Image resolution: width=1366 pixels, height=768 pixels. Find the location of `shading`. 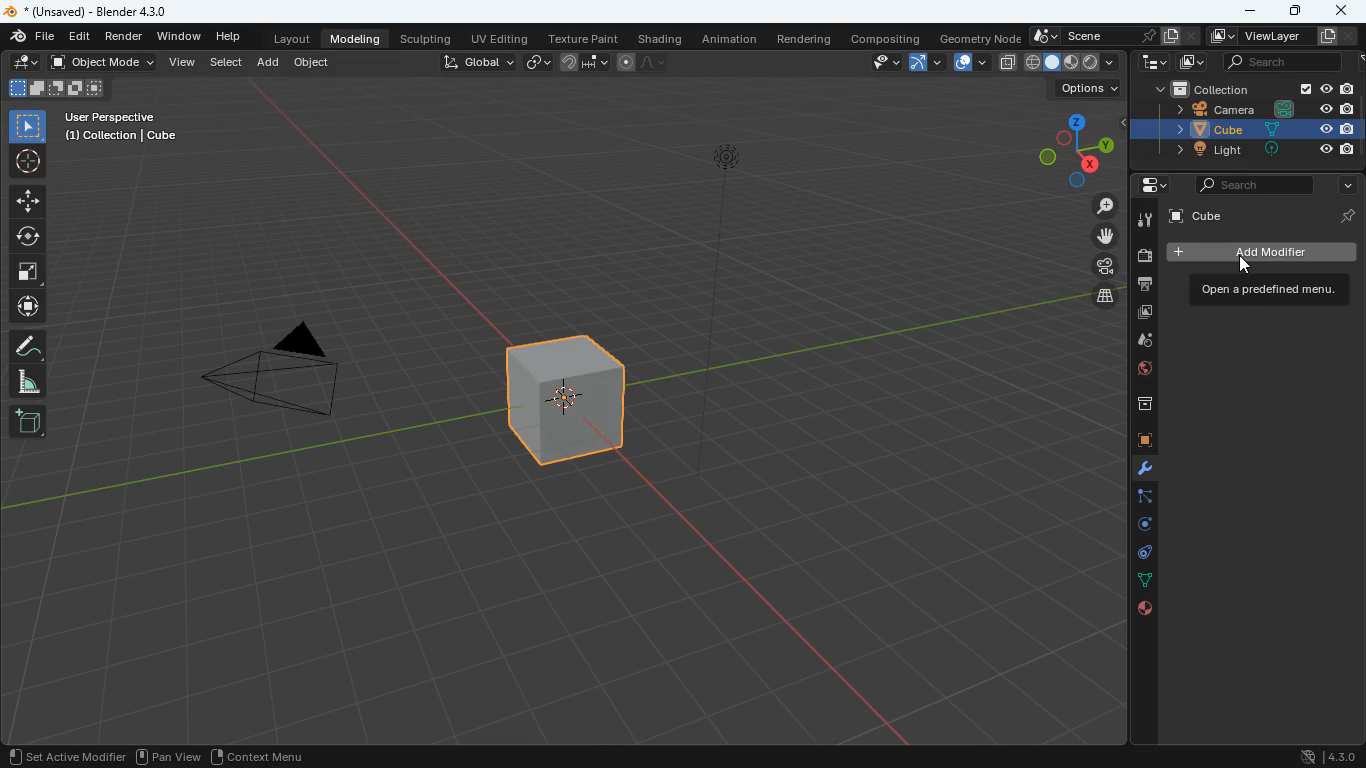

shading is located at coordinates (663, 37).